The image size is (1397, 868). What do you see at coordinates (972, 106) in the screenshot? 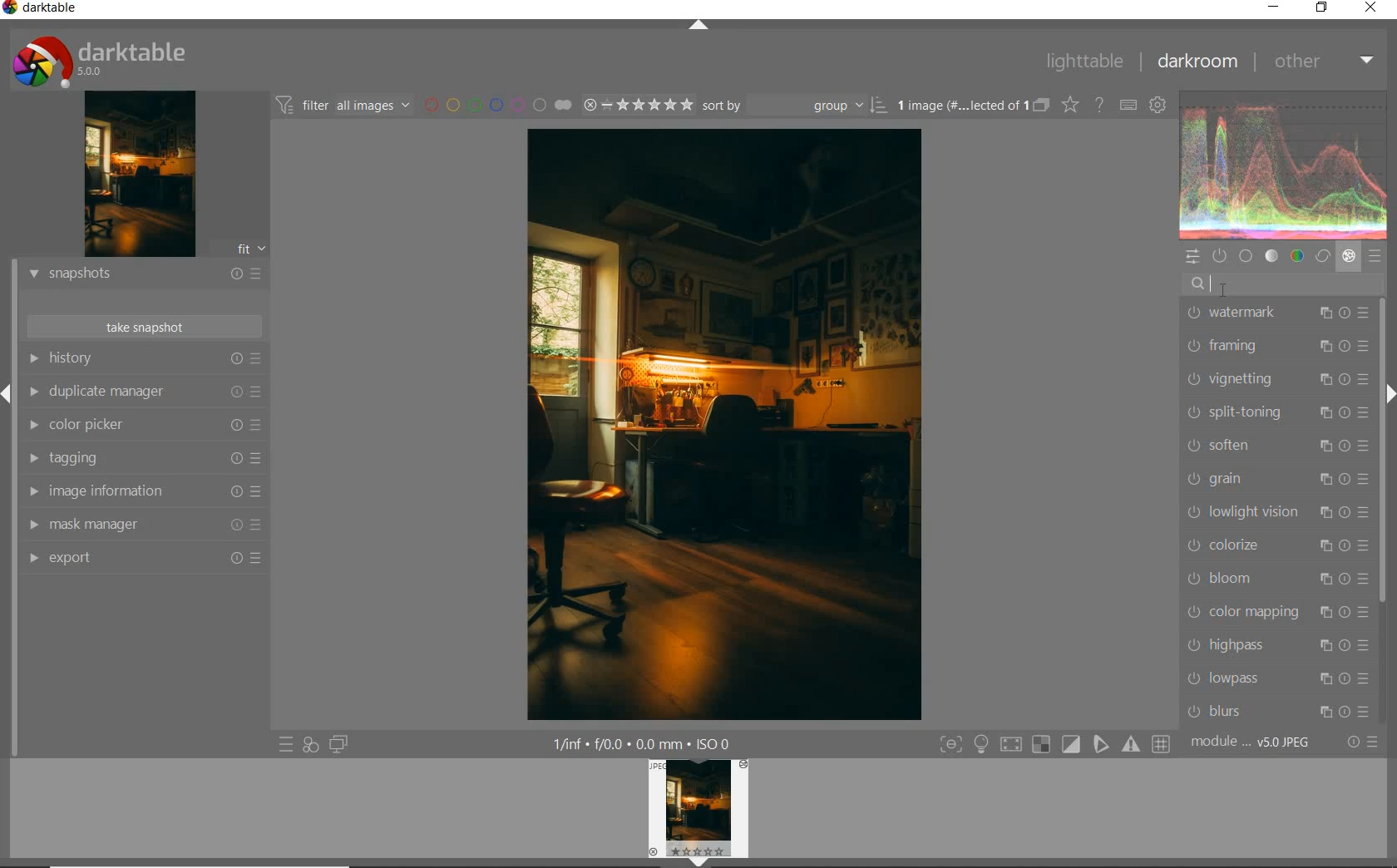
I see `expand grouped images` at bounding box center [972, 106].